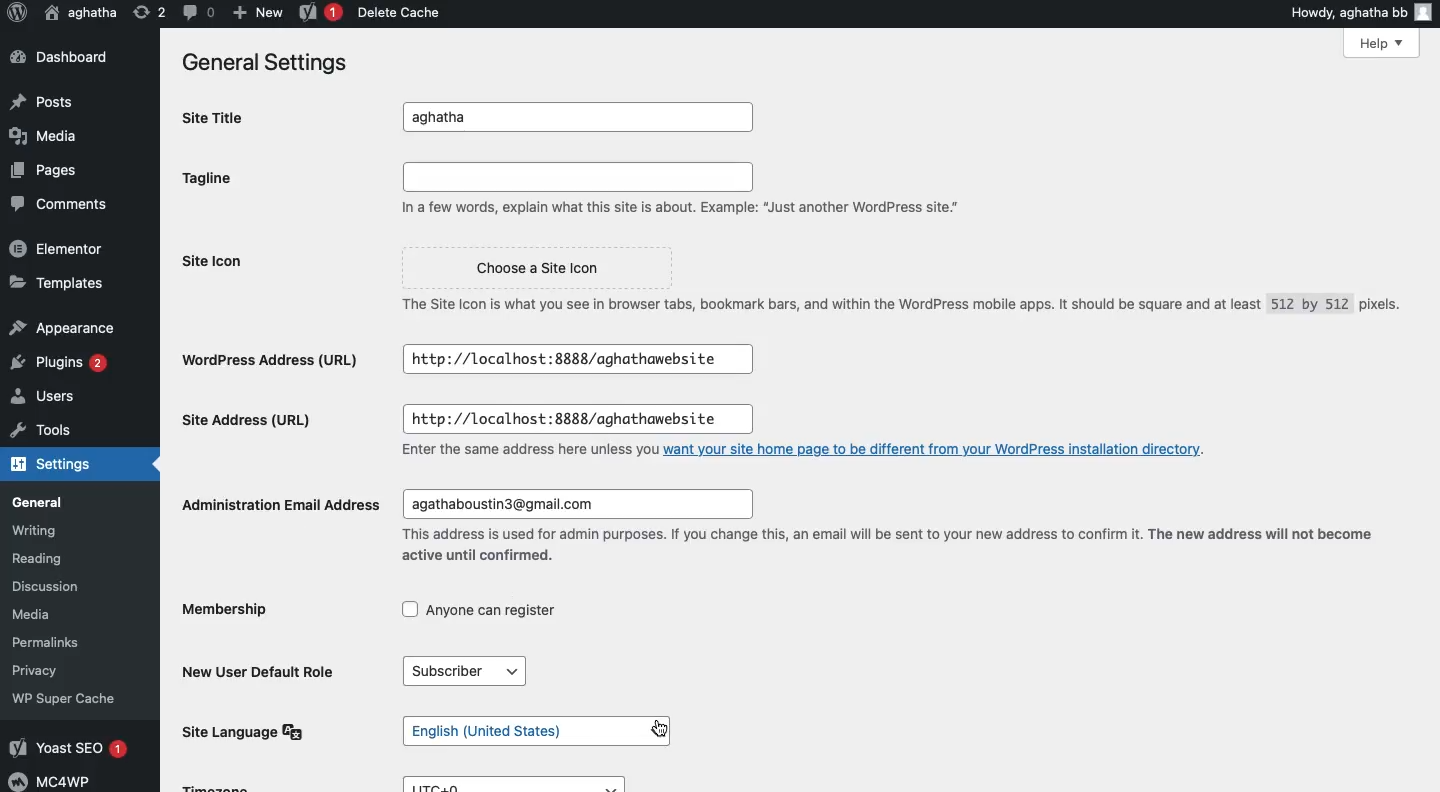  I want to click on Site title, so click(220, 117).